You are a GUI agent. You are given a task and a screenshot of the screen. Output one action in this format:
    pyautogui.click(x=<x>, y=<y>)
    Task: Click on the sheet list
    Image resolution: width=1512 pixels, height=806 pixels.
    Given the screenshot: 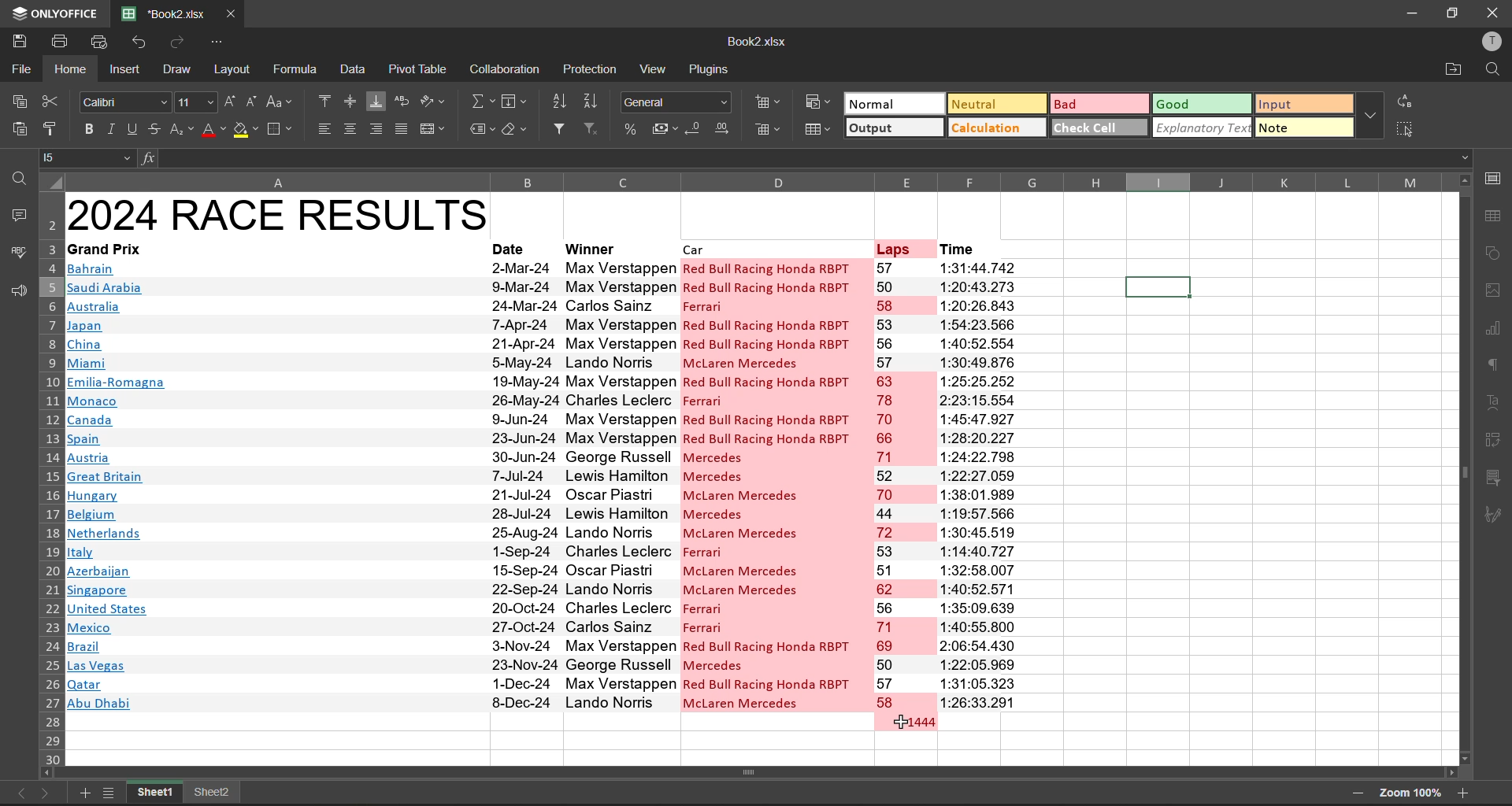 What is the action you would take?
    pyautogui.click(x=109, y=793)
    